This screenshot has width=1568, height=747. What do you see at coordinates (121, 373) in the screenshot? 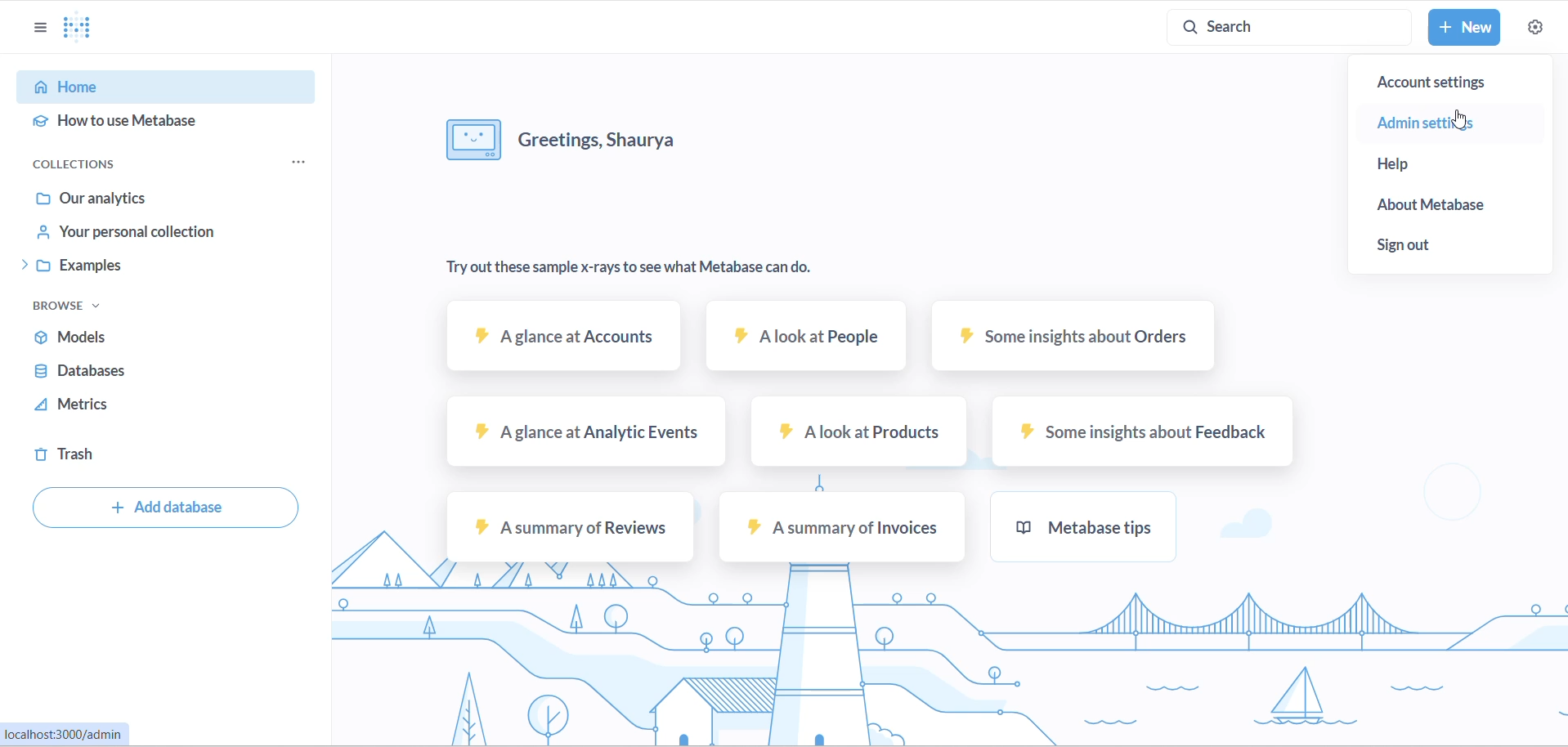
I see `databases` at bounding box center [121, 373].